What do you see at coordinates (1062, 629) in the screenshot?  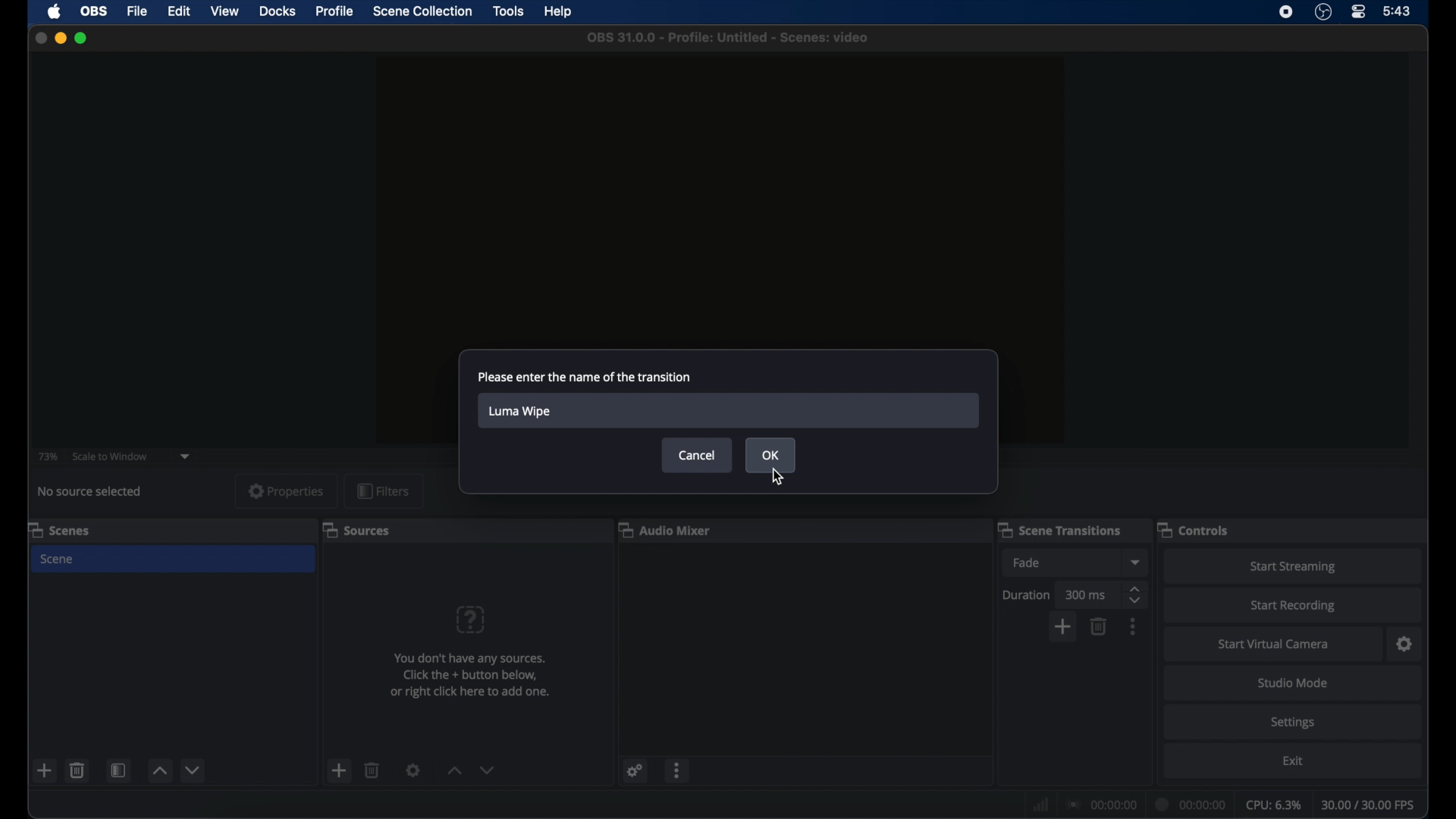 I see `add` at bounding box center [1062, 629].